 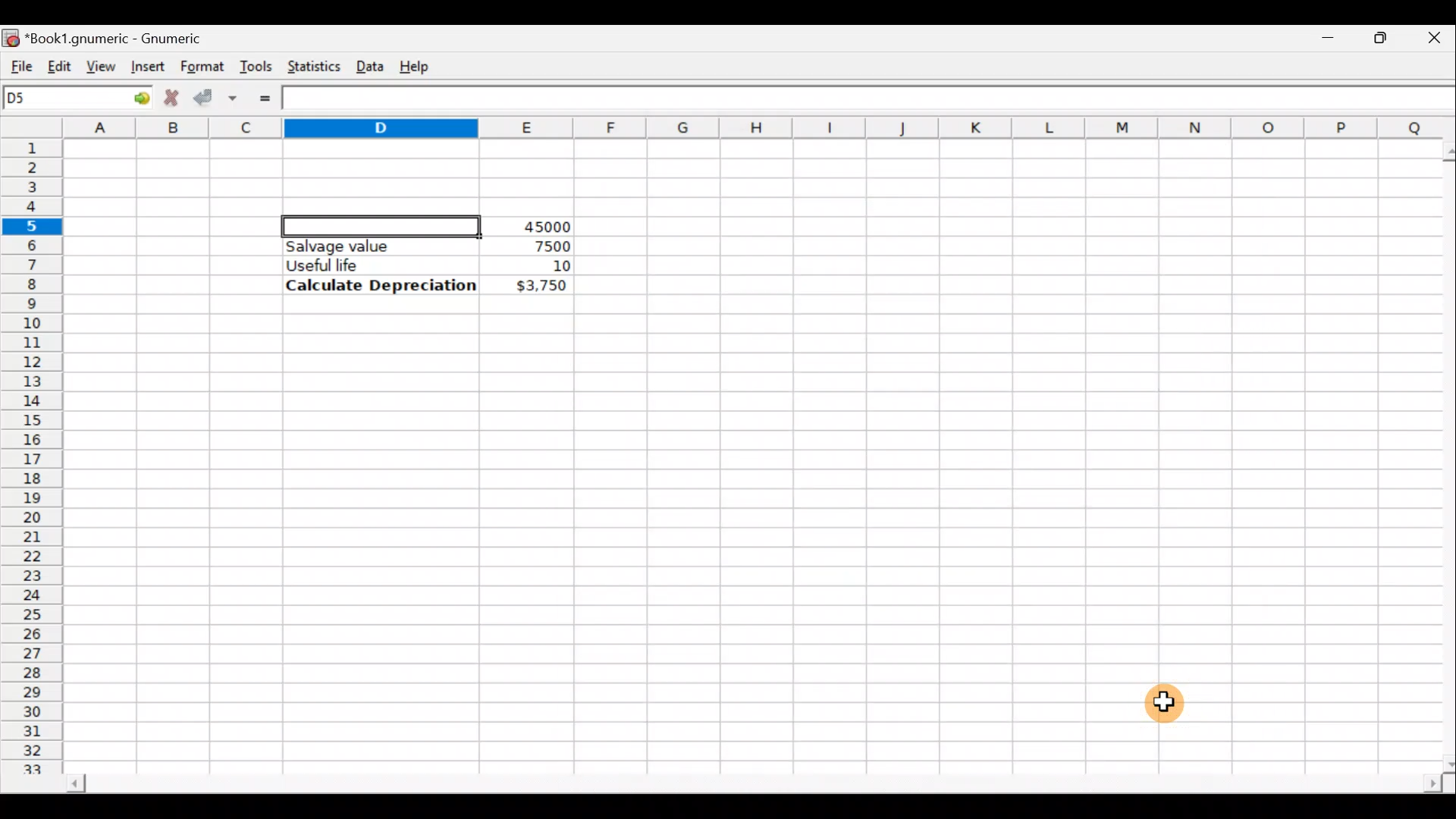 What do you see at coordinates (372, 265) in the screenshot?
I see `Useful life` at bounding box center [372, 265].